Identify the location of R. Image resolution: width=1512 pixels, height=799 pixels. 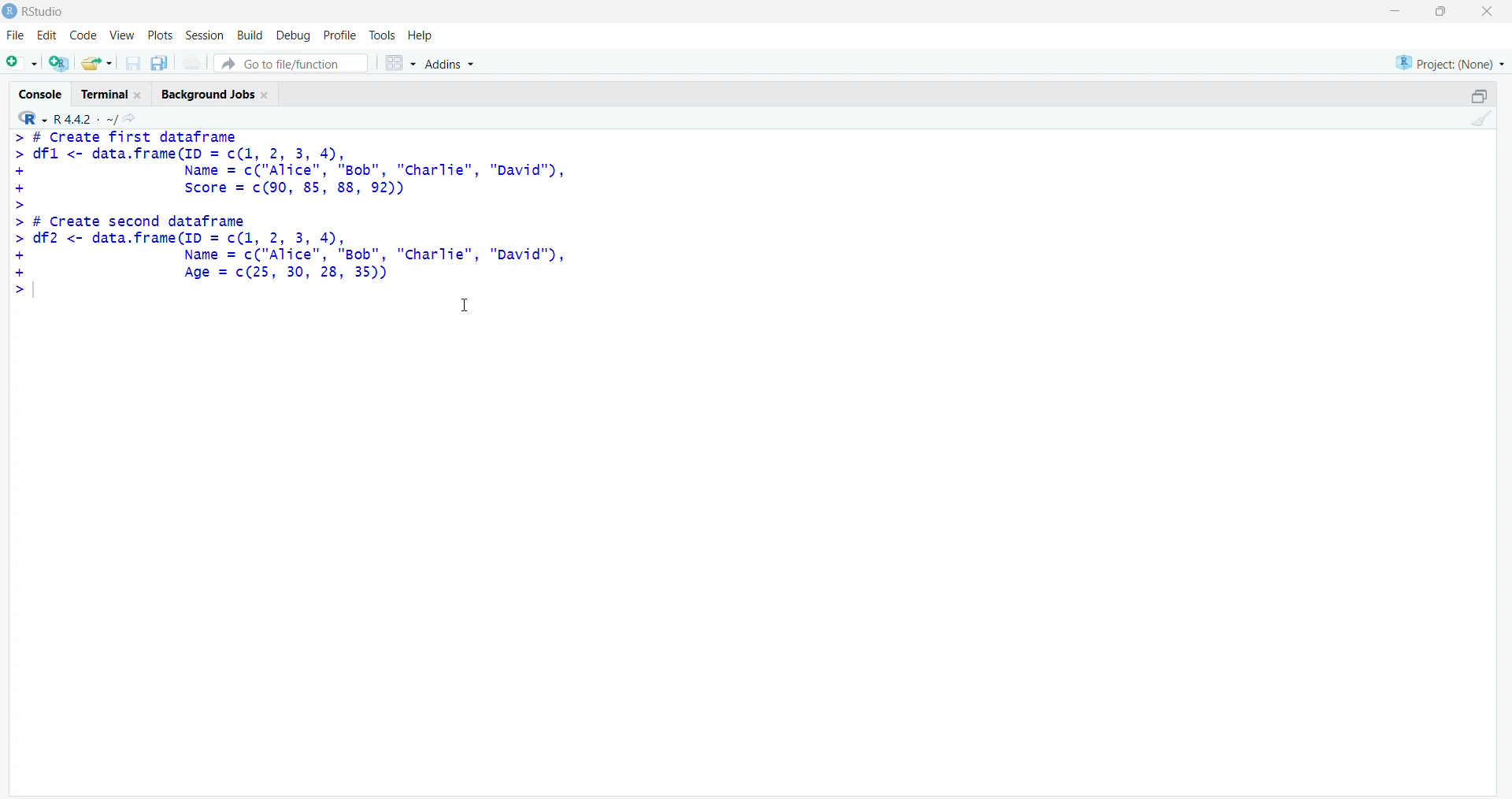
(31, 117).